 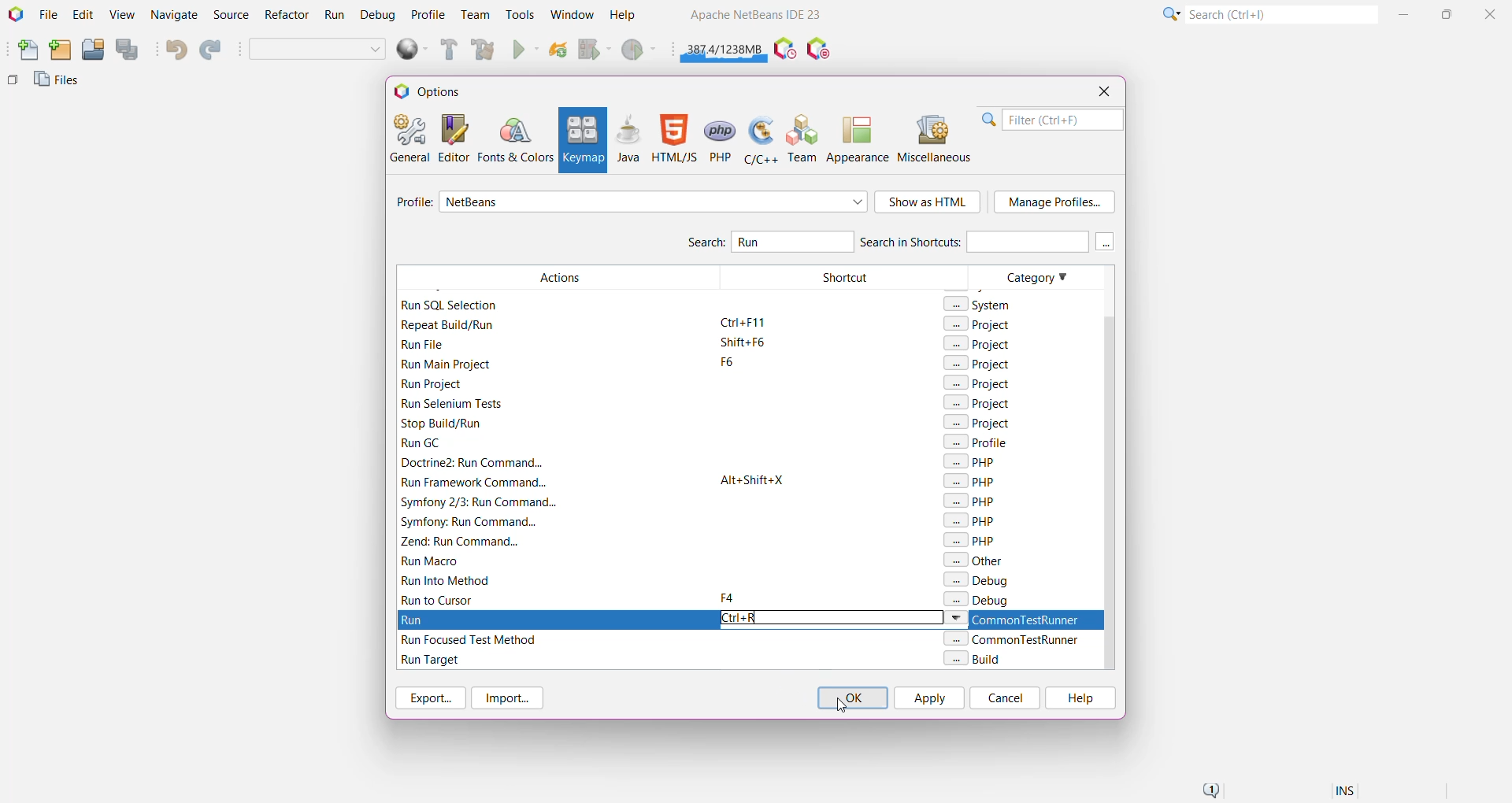 What do you see at coordinates (1492, 13) in the screenshot?
I see `Close` at bounding box center [1492, 13].